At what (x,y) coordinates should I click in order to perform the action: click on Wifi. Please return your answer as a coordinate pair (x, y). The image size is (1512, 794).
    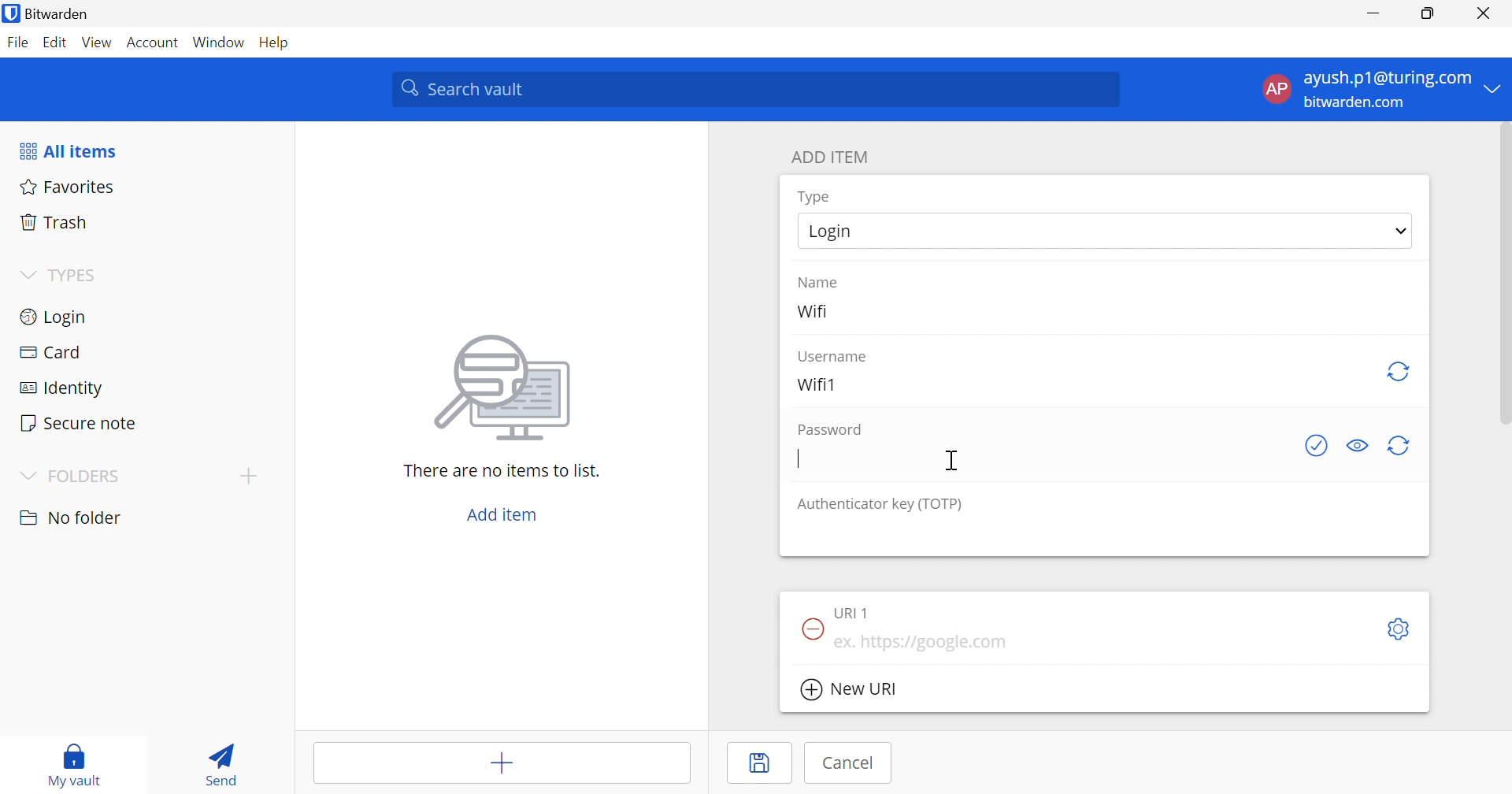
    Looking at the image, I should click on (811, 310).